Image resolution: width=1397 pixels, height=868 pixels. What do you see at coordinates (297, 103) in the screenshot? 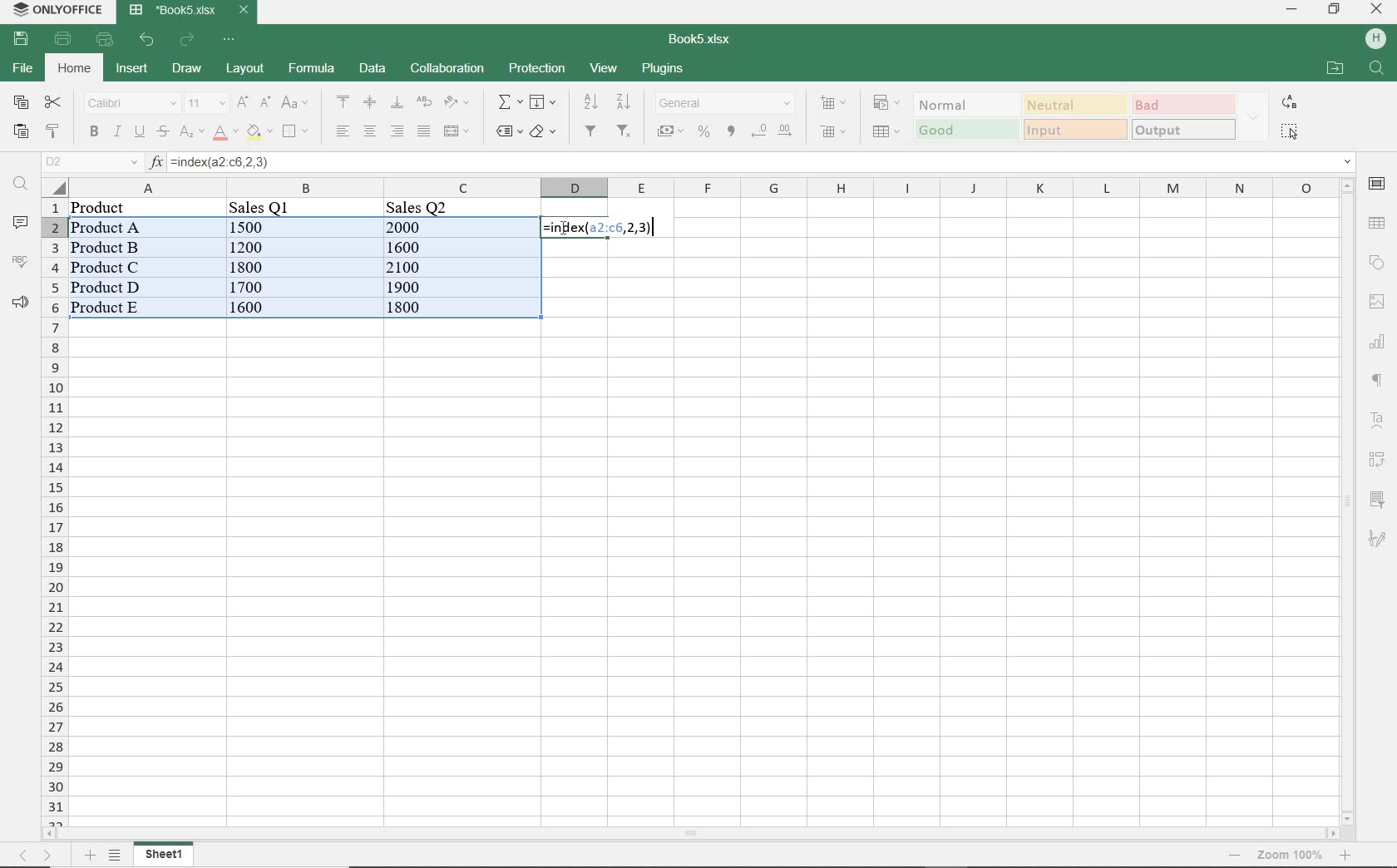
I see `change case` at bounding box center [297, 103].